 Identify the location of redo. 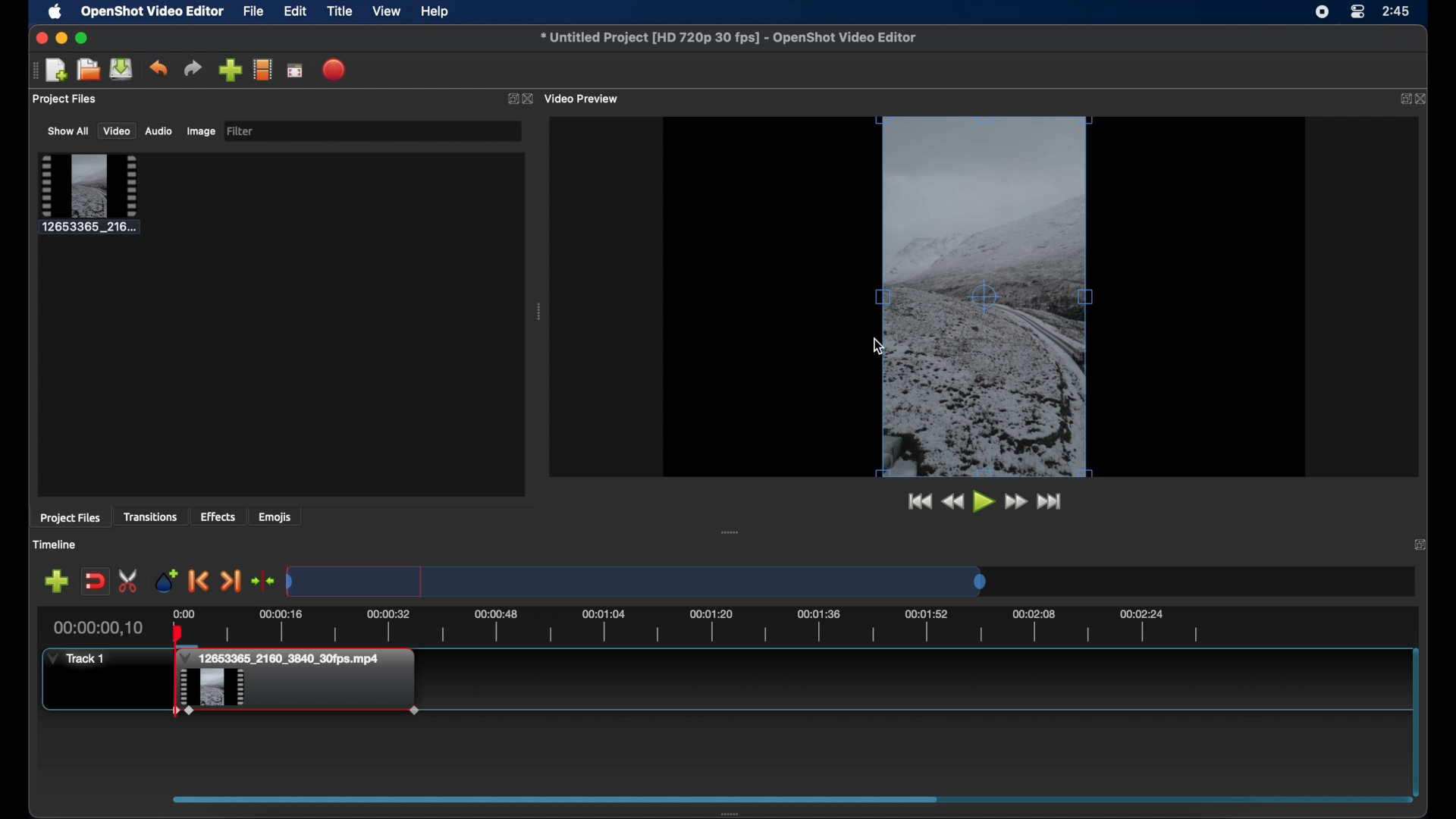
(193, 67).